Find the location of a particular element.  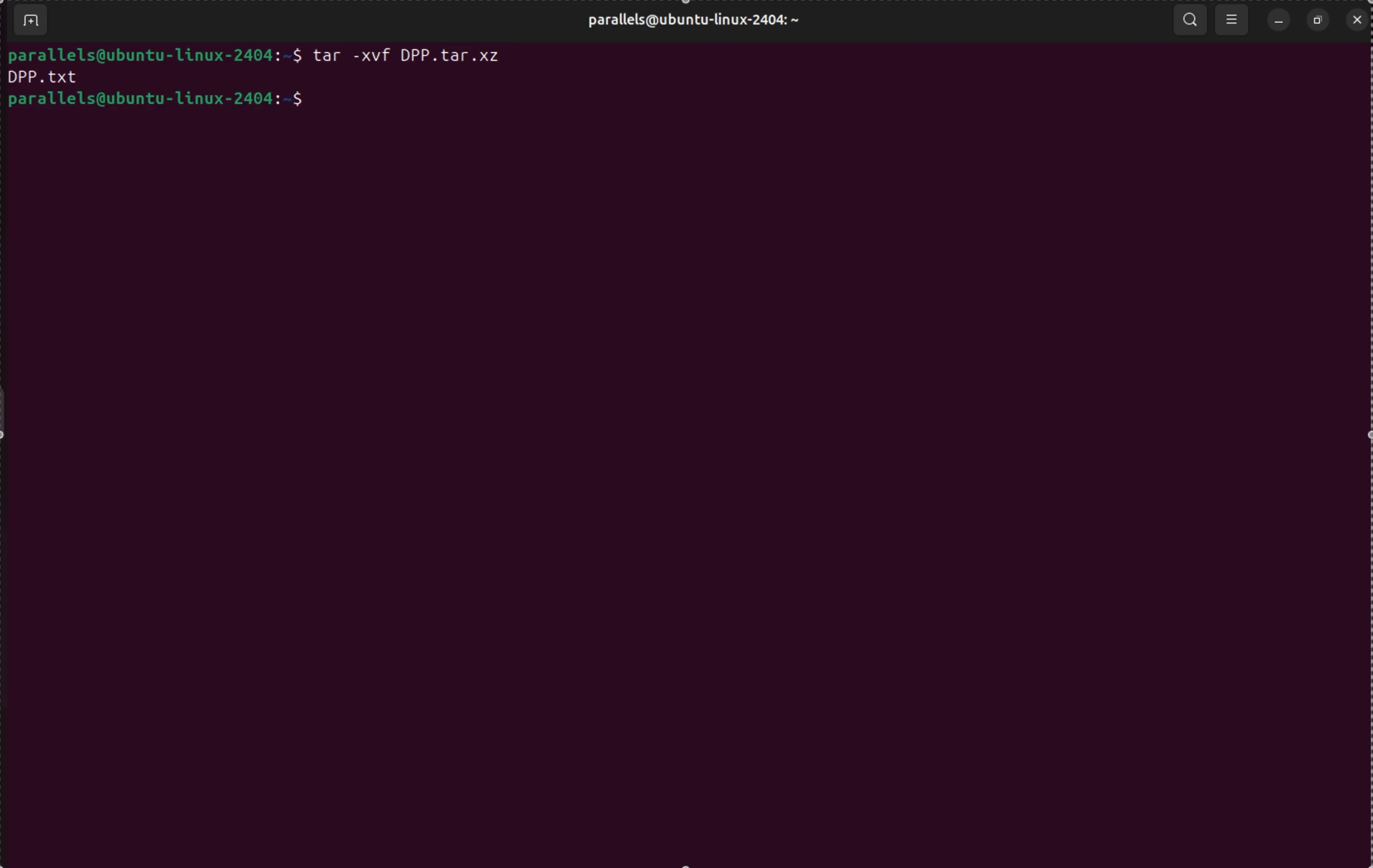

bash prompt is located at coordinates (156, 101).